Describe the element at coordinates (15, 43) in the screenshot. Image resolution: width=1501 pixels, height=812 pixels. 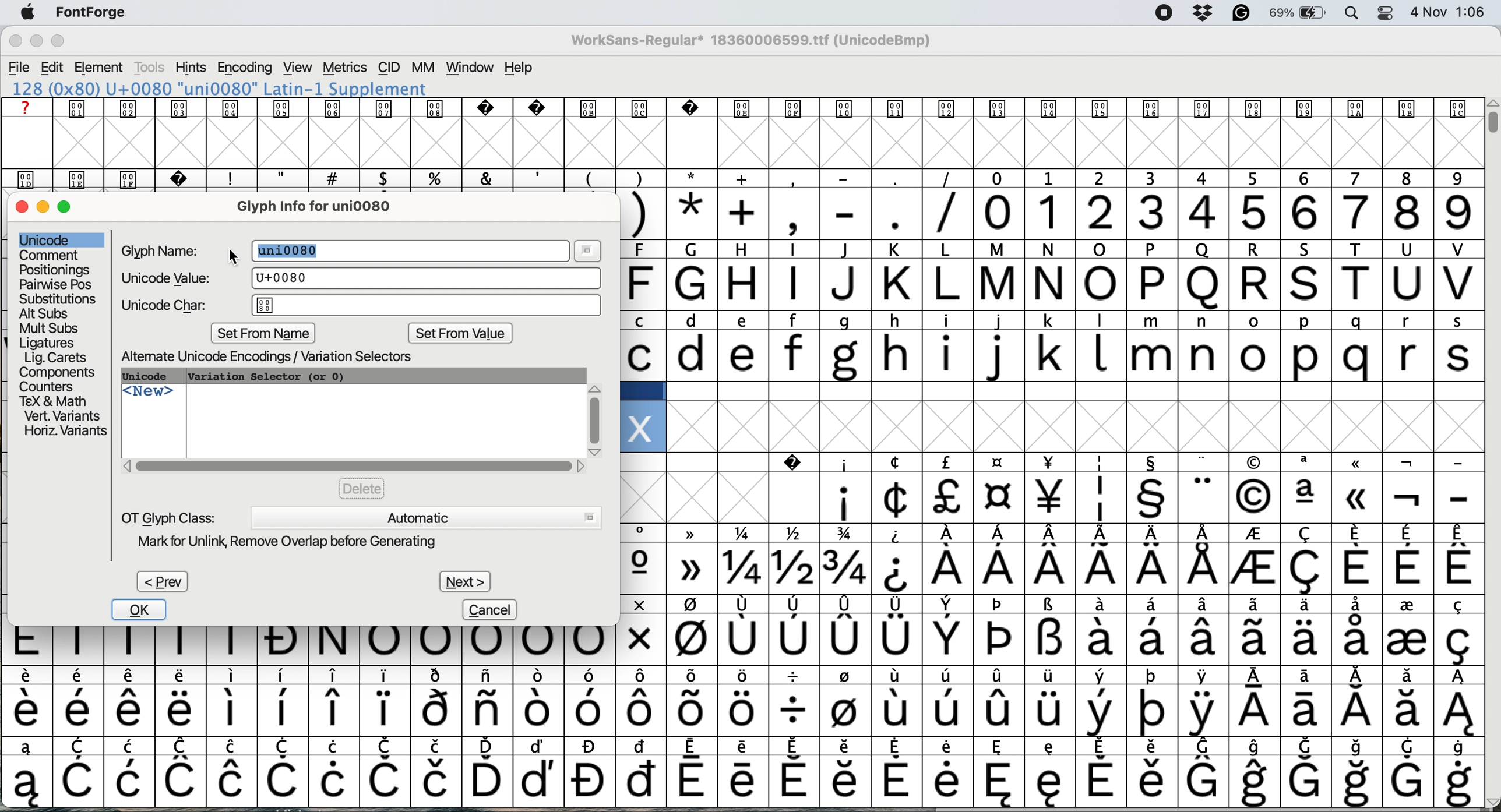
I see `close` at that location.